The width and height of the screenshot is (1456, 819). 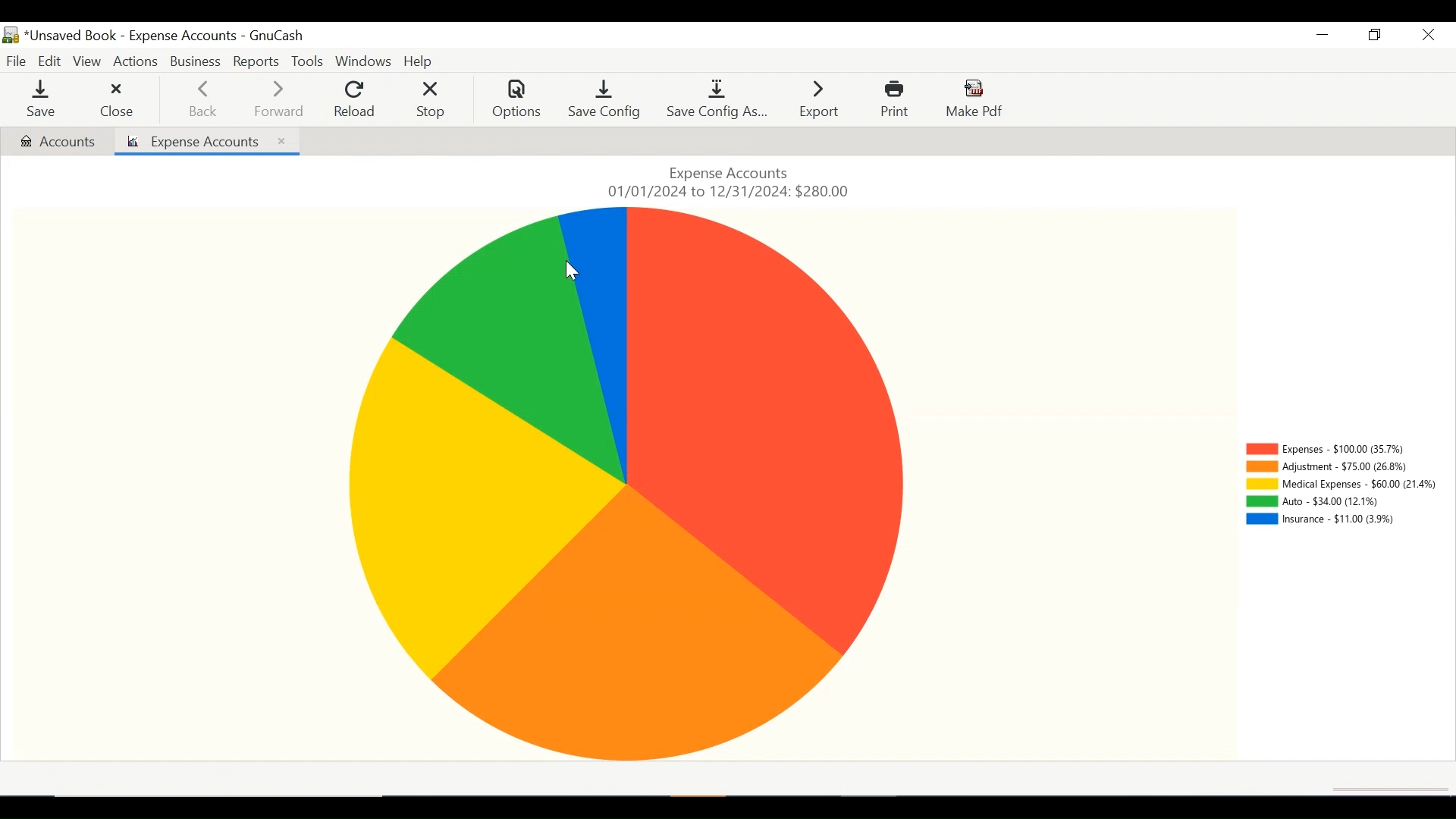 I want to click on Forward, so click(x=277, y=98).